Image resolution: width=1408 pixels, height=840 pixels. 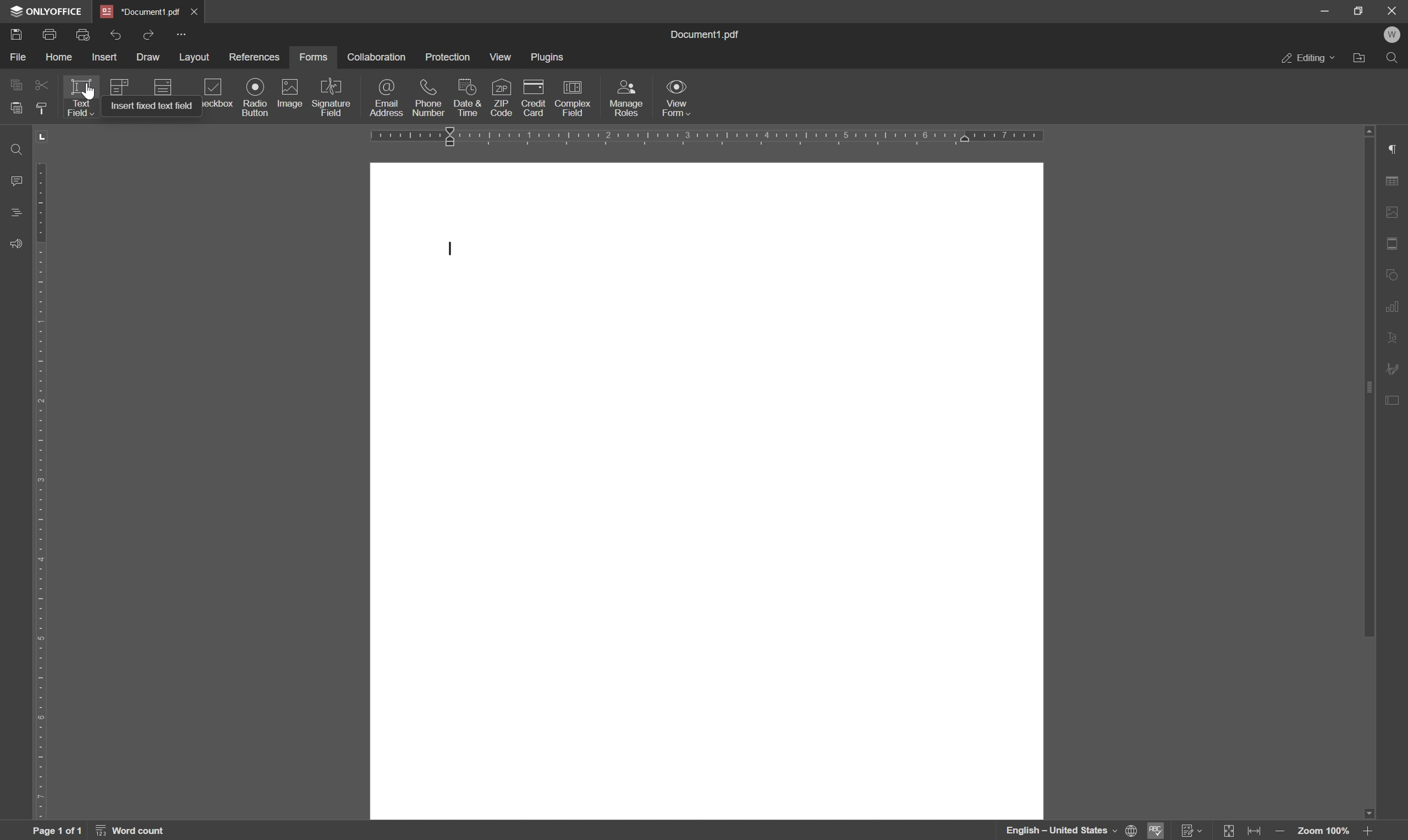 What do you see at coordinates (467, 98) in the screenshot?
I see `date and time` at bounding box center [467, 98].